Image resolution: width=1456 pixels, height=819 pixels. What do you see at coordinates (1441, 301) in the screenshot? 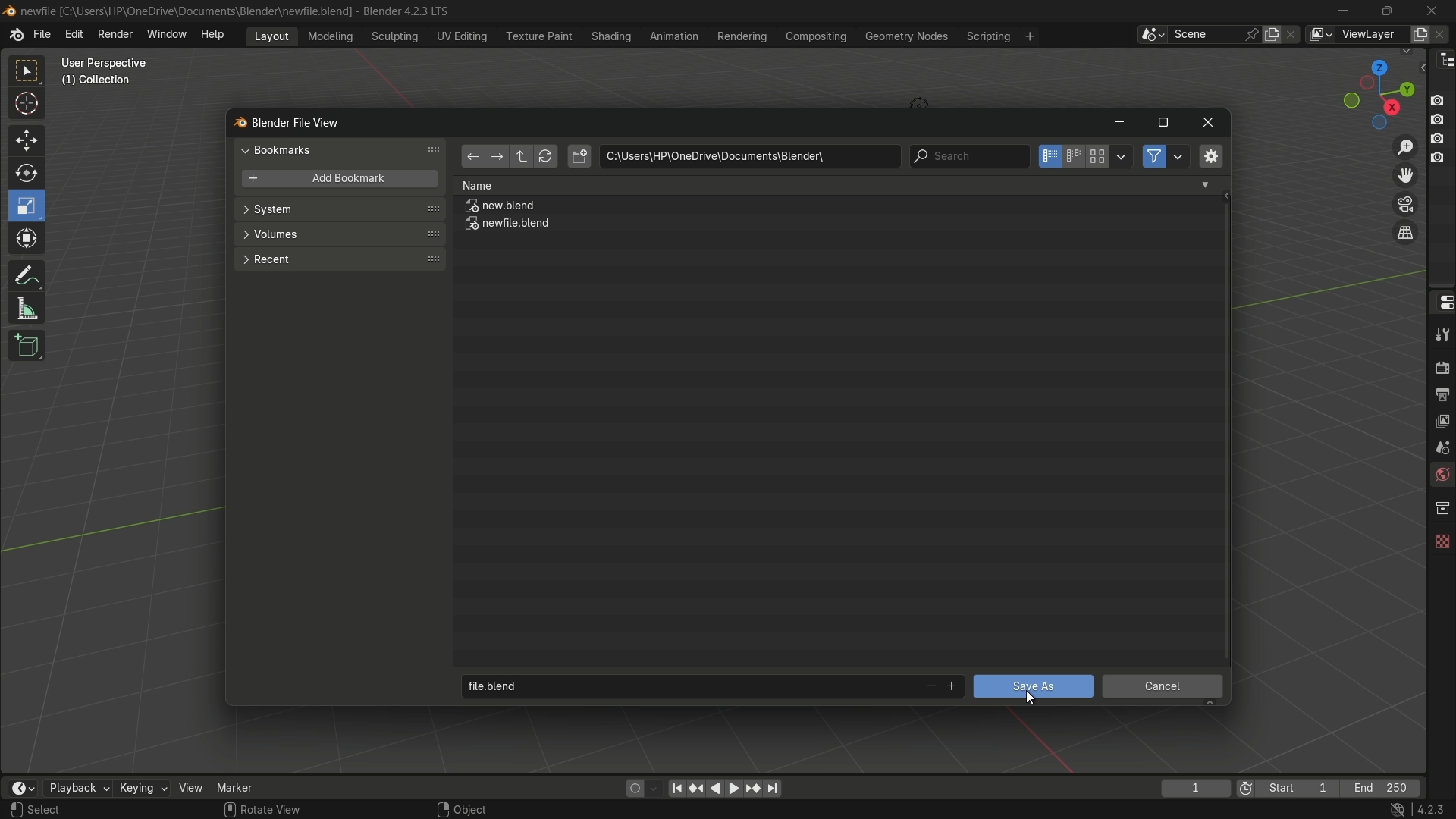
I see `properties` at bounding box center [1441, 301].